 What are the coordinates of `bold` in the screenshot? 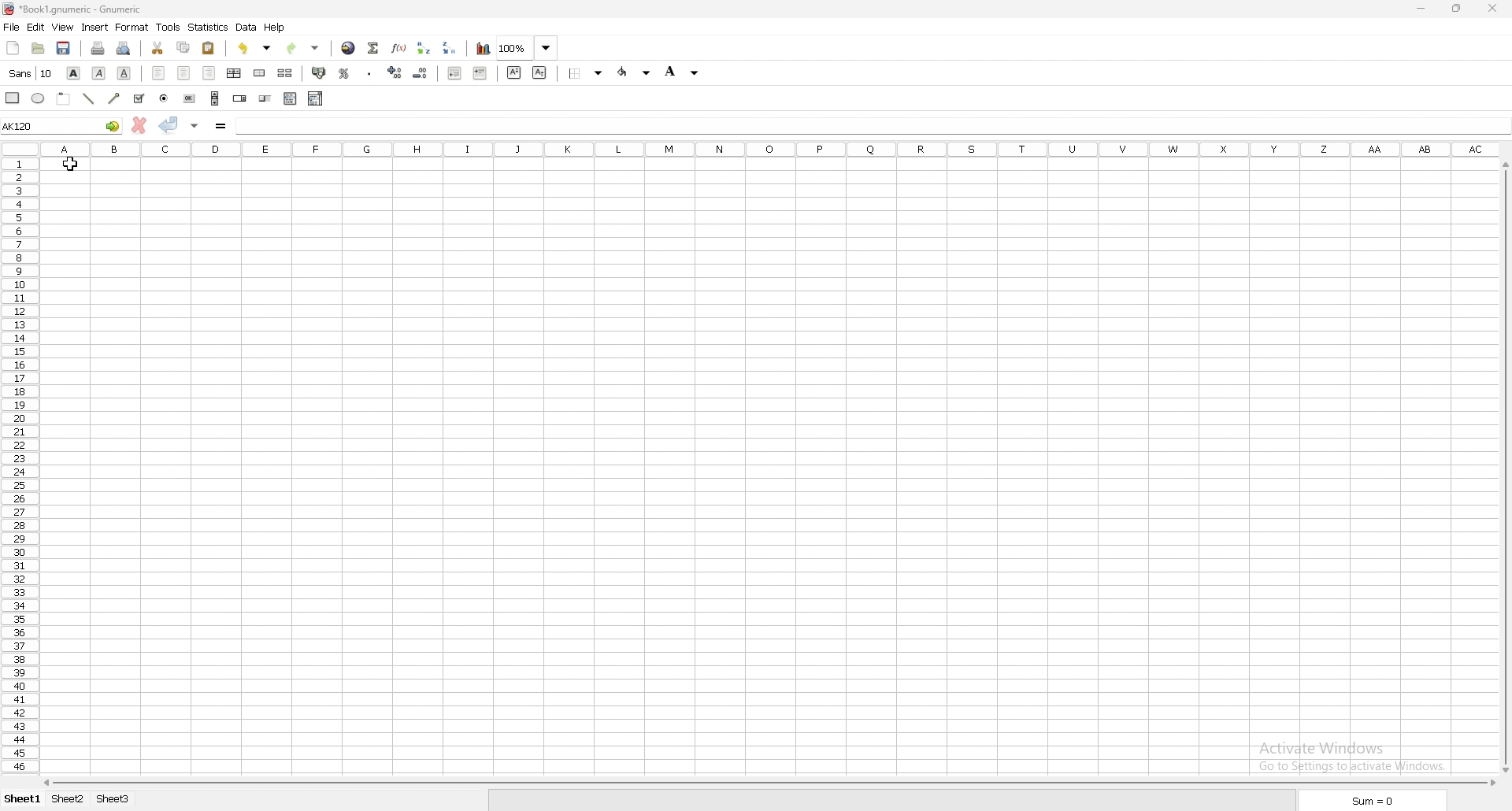 It's located at (75, 72).